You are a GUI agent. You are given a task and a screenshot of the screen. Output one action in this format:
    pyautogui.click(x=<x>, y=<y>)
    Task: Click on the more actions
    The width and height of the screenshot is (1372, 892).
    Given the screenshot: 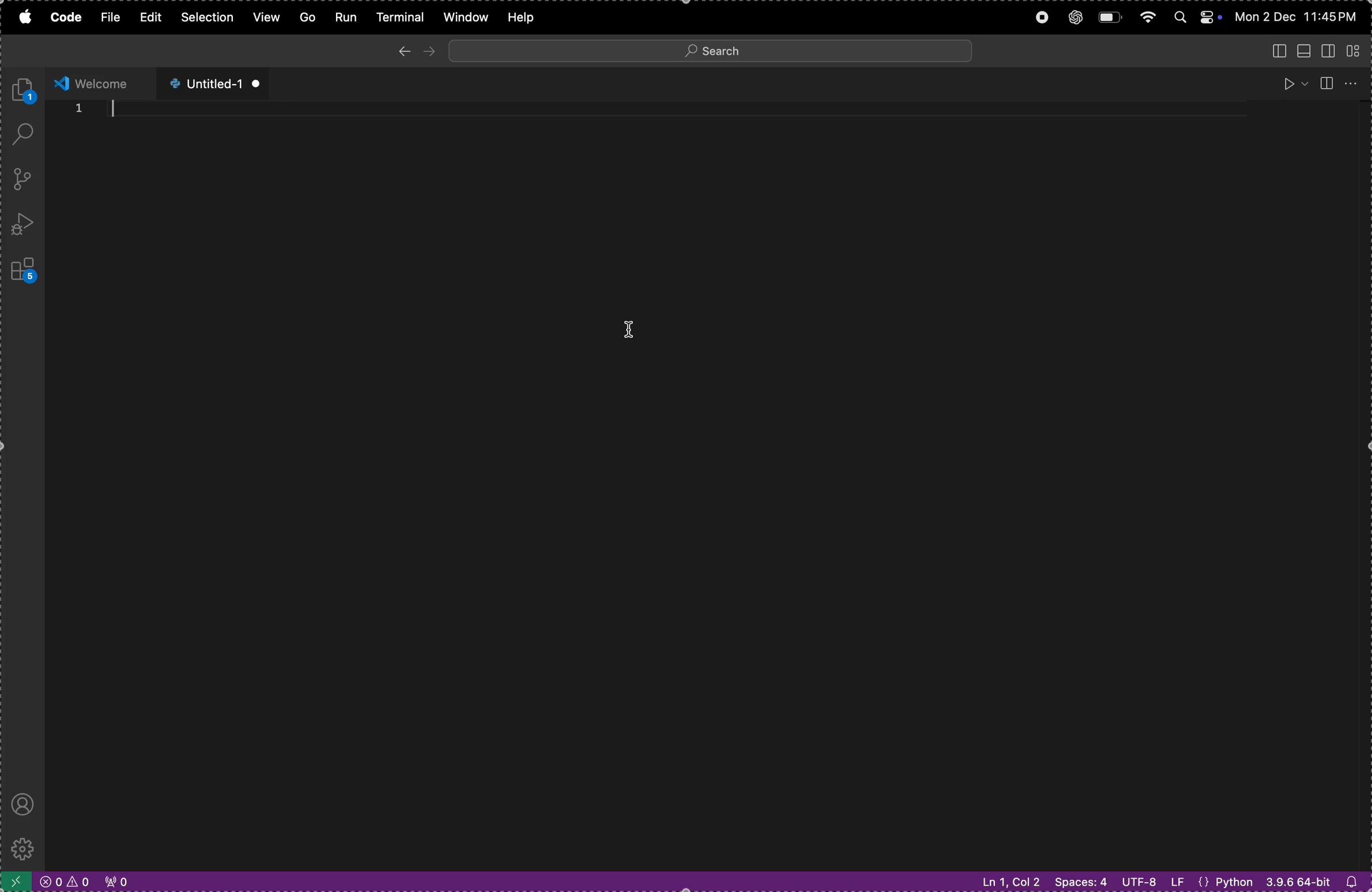 What is the action you would take?
    pyautogui.click(x=1355, y=81)
    